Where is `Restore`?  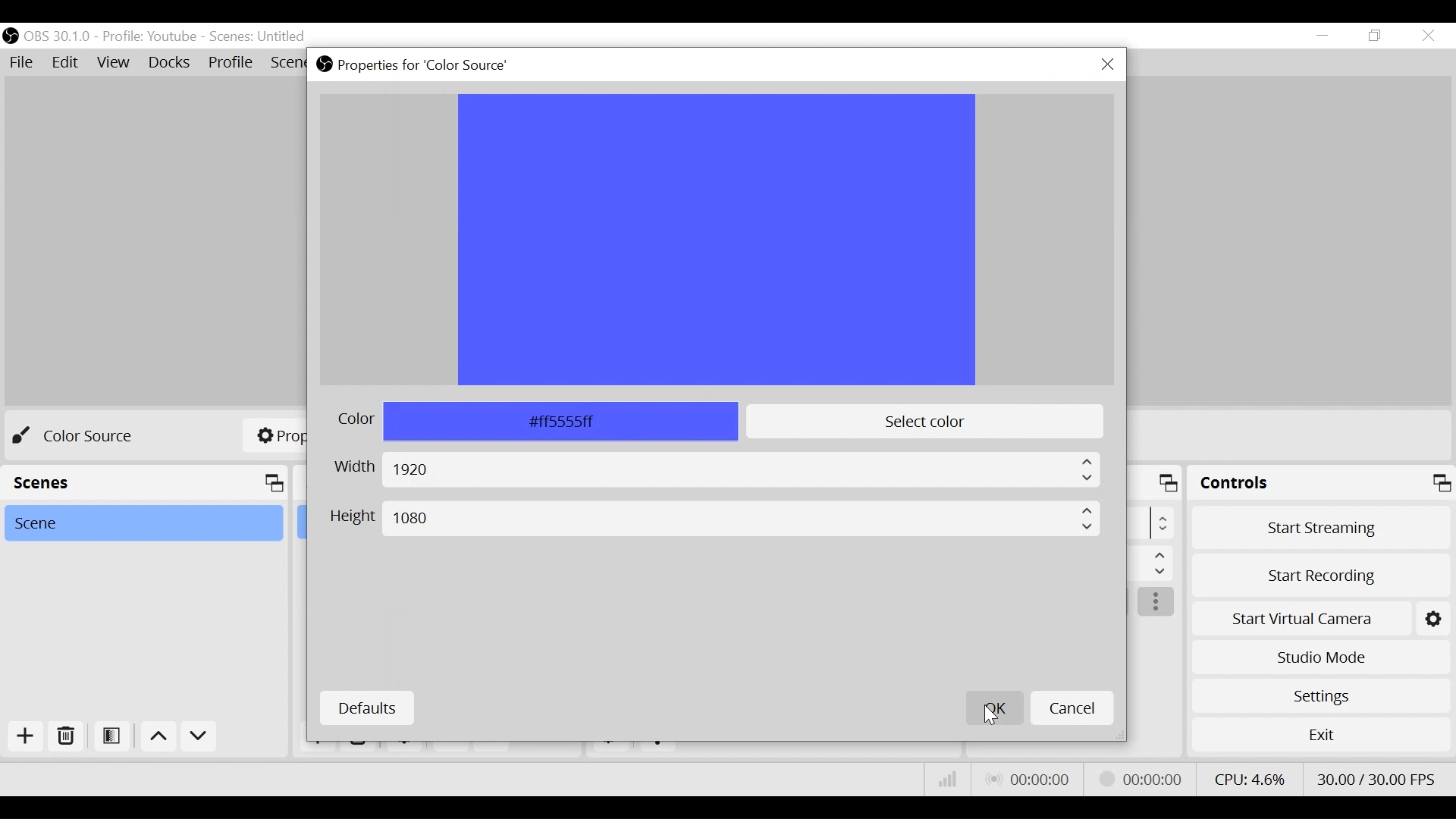 Restore is located at coordinates (1379, 36).